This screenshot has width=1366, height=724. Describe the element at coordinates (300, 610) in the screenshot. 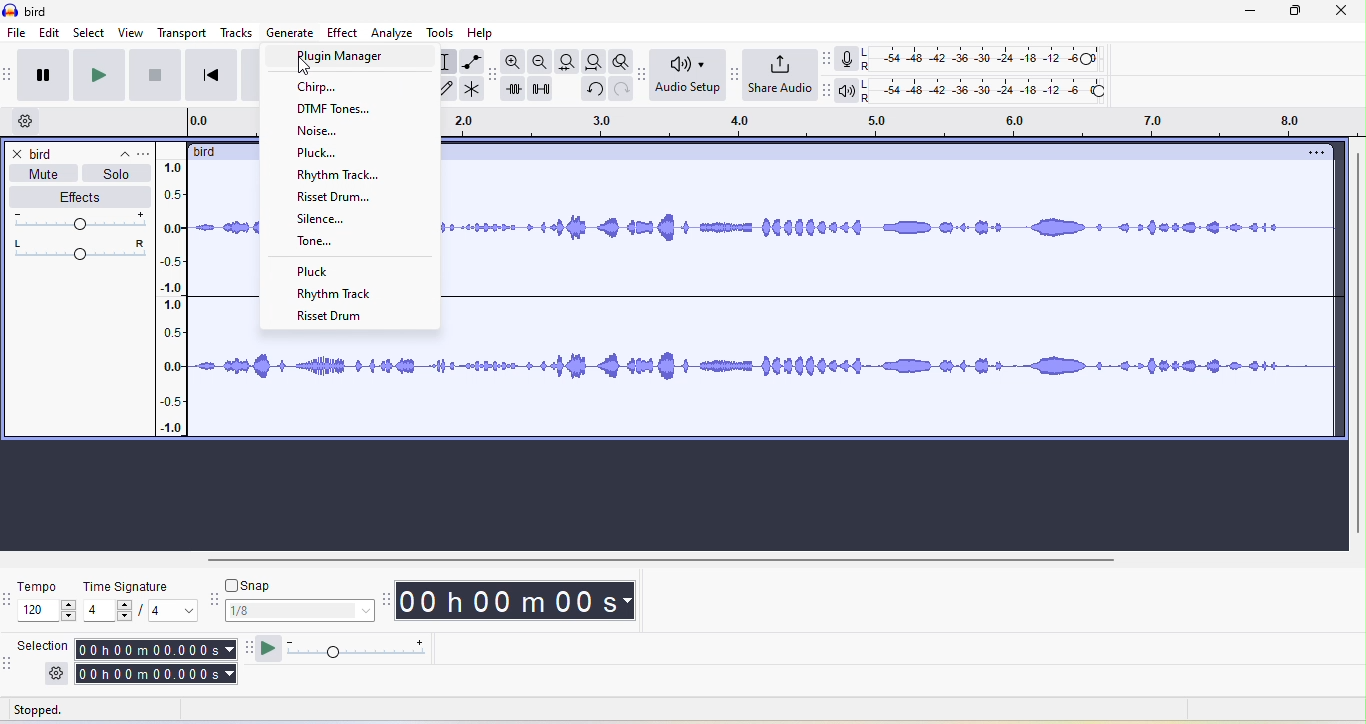

I see `1/8` at that location.